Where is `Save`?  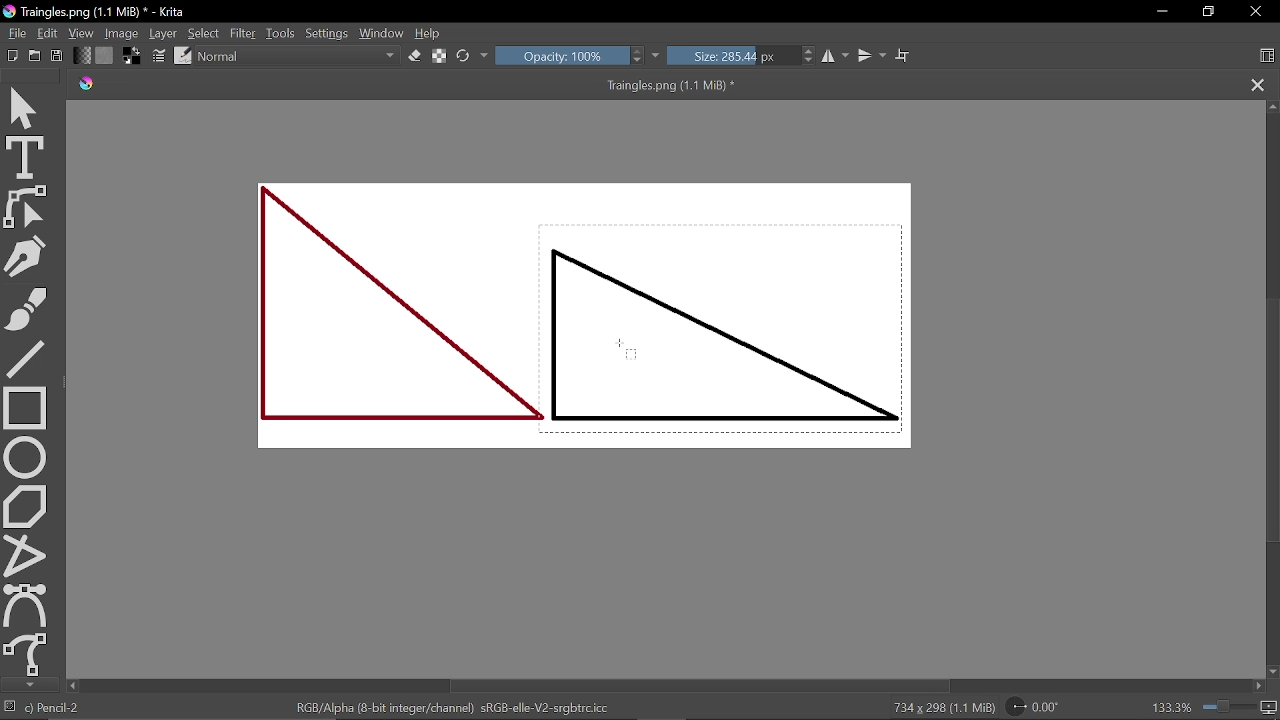 Save is located at coordinates (58, 56).